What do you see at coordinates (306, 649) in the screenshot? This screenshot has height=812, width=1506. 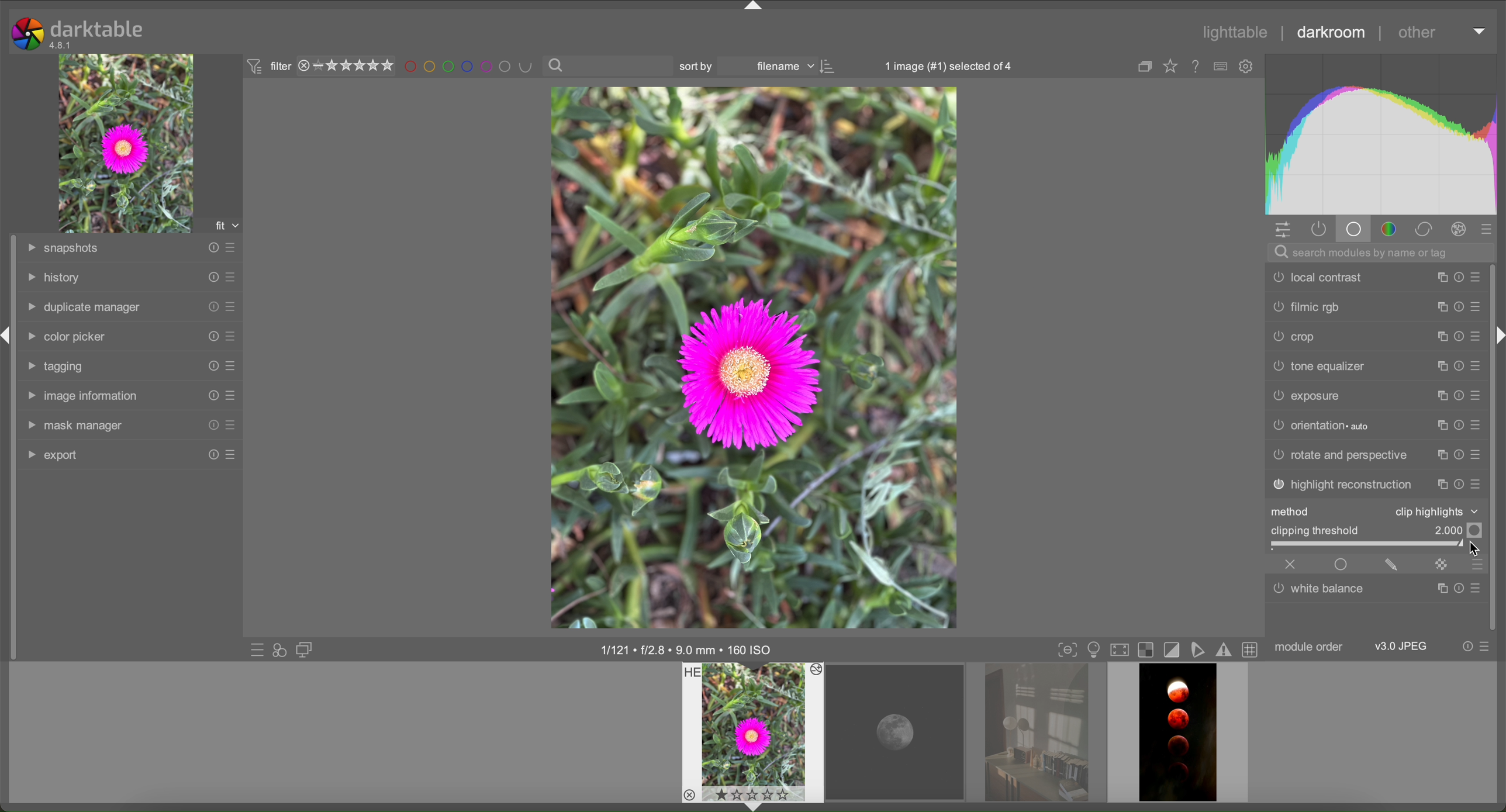 I see `display a second darkroom image window` at bounding box center [306, 649].